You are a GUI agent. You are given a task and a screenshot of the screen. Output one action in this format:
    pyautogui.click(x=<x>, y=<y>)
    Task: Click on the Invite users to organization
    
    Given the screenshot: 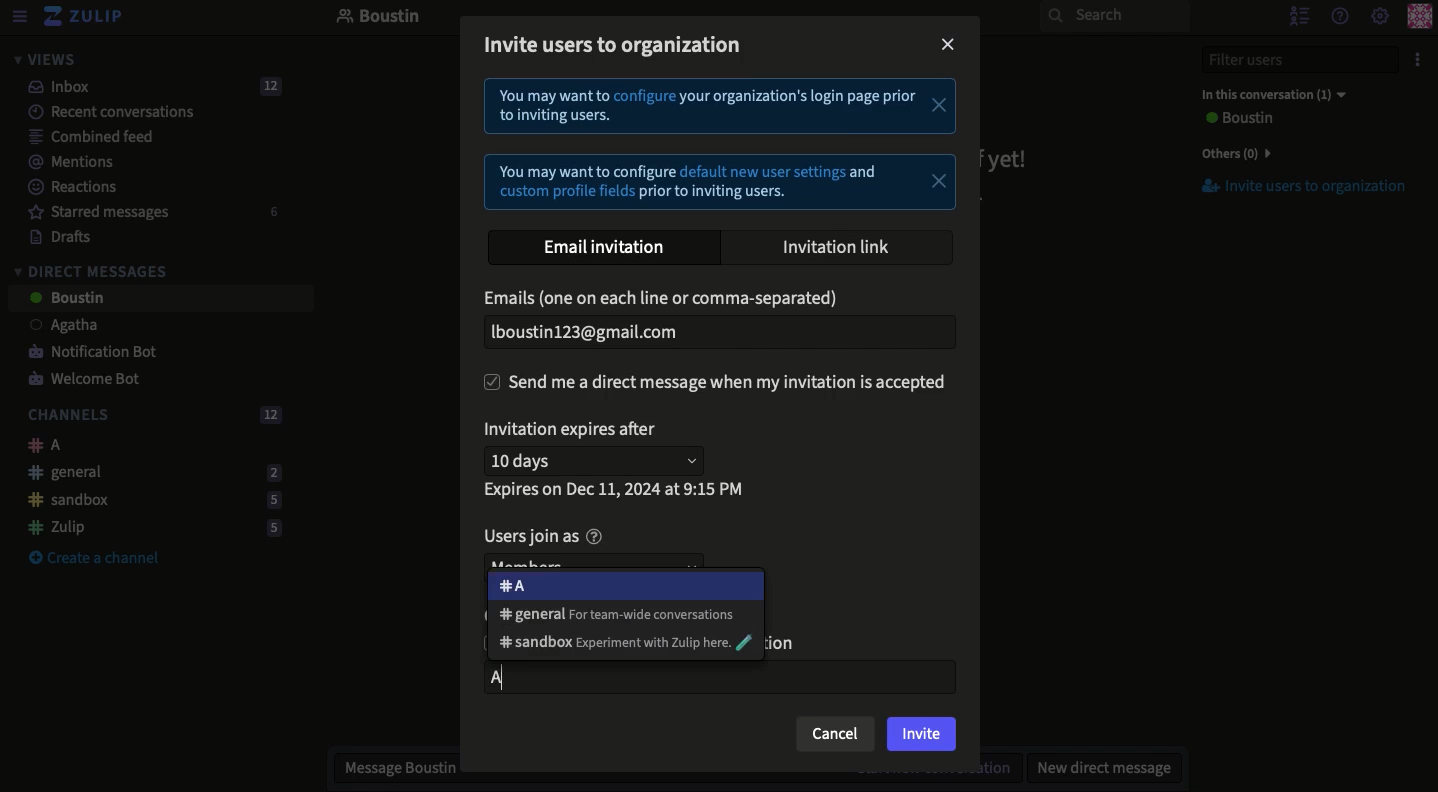 What is the action you would take?
    pyautogui.click(x=618, y=44)
    